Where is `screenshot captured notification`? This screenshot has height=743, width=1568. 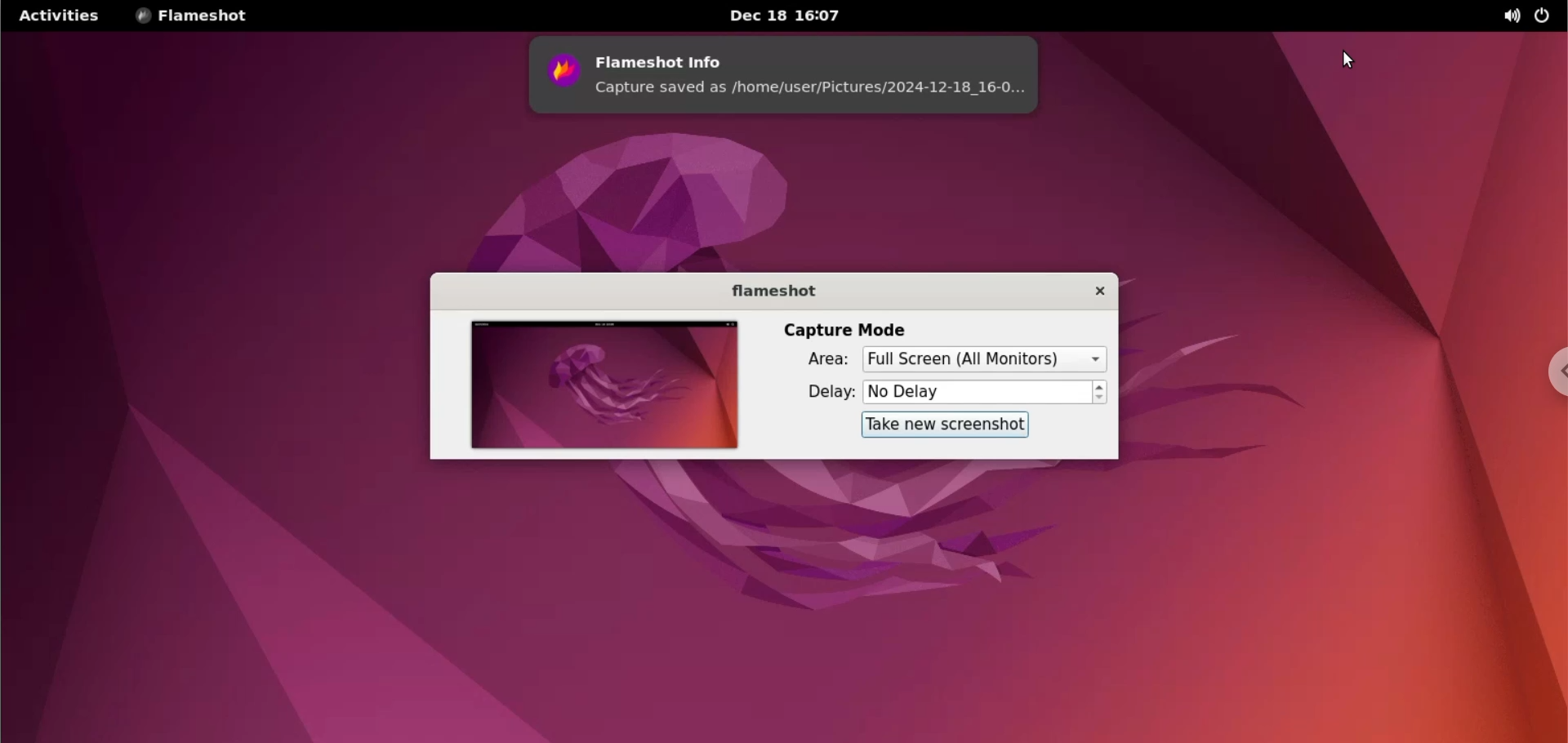
screenshot captured notification is located at coordinates (786, 75).